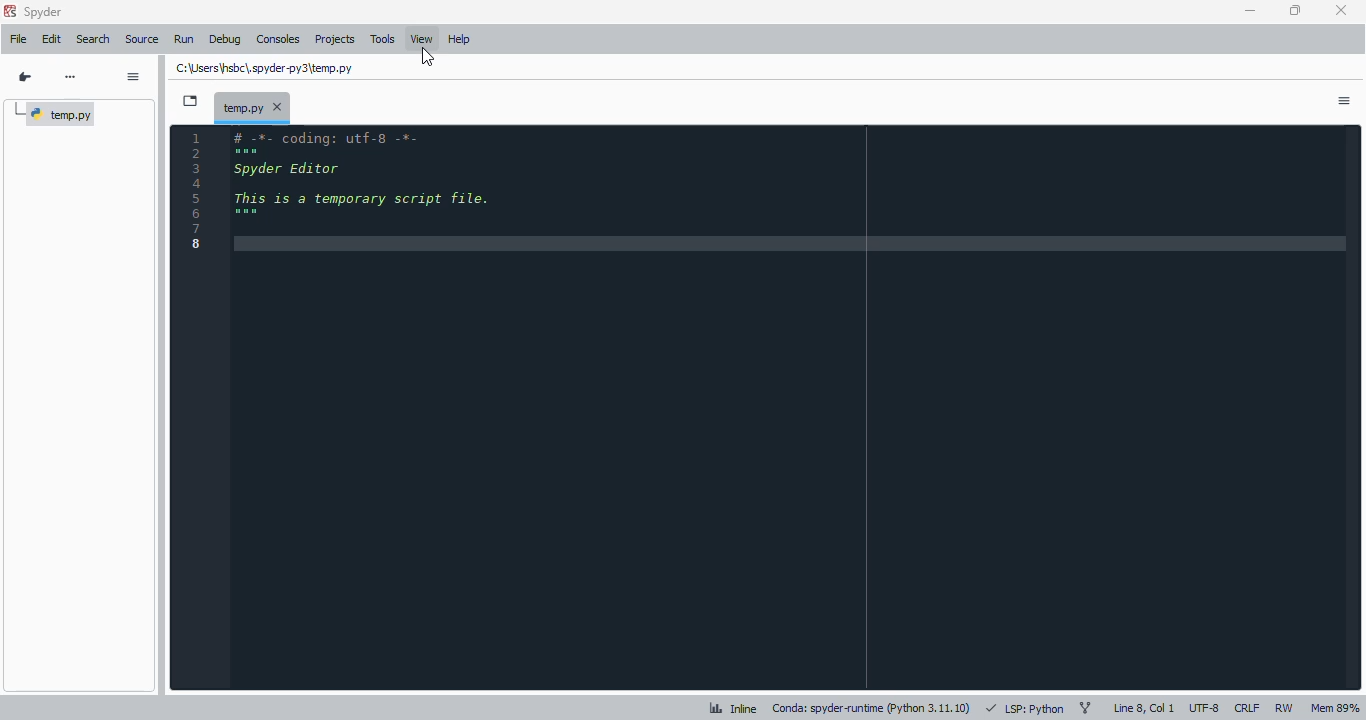  I want to click on minimize, so click(1250, 11).